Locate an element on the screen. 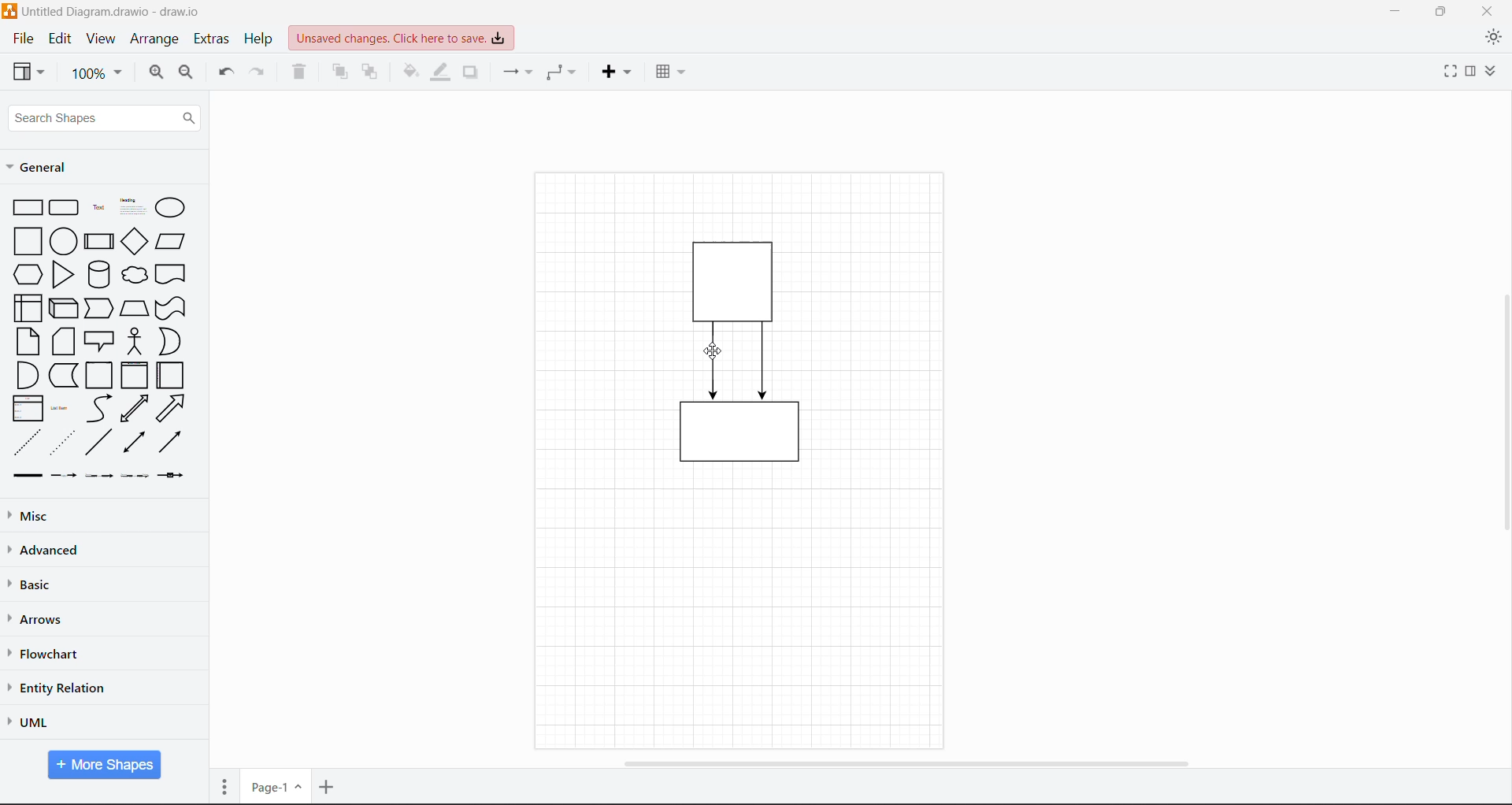 The height and width of the screenshot is (805, 1512). Format is located at coordinates (1470, 72).